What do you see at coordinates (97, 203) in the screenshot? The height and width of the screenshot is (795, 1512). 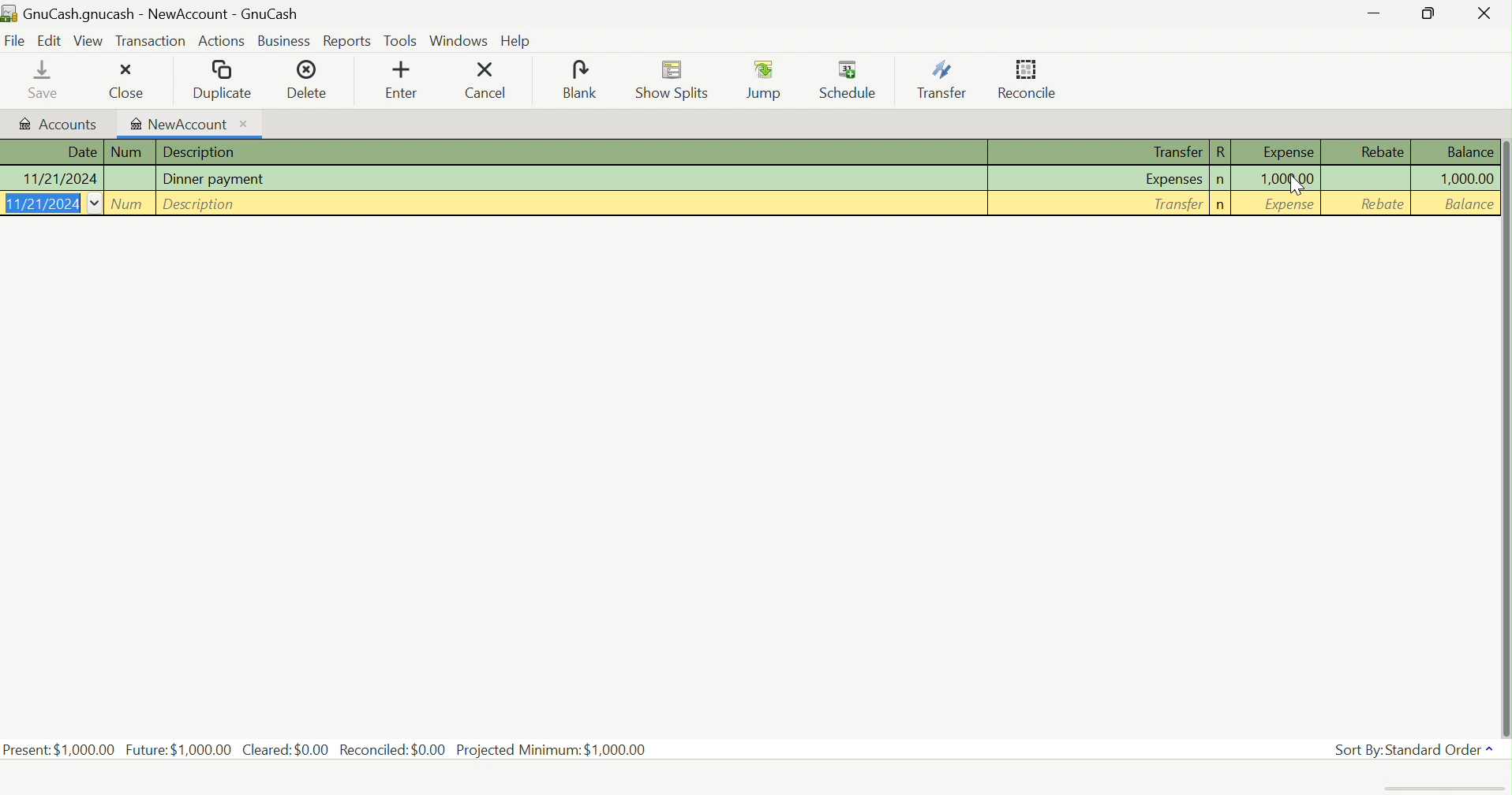 I see `Drop` at bounding box center [97, 203].